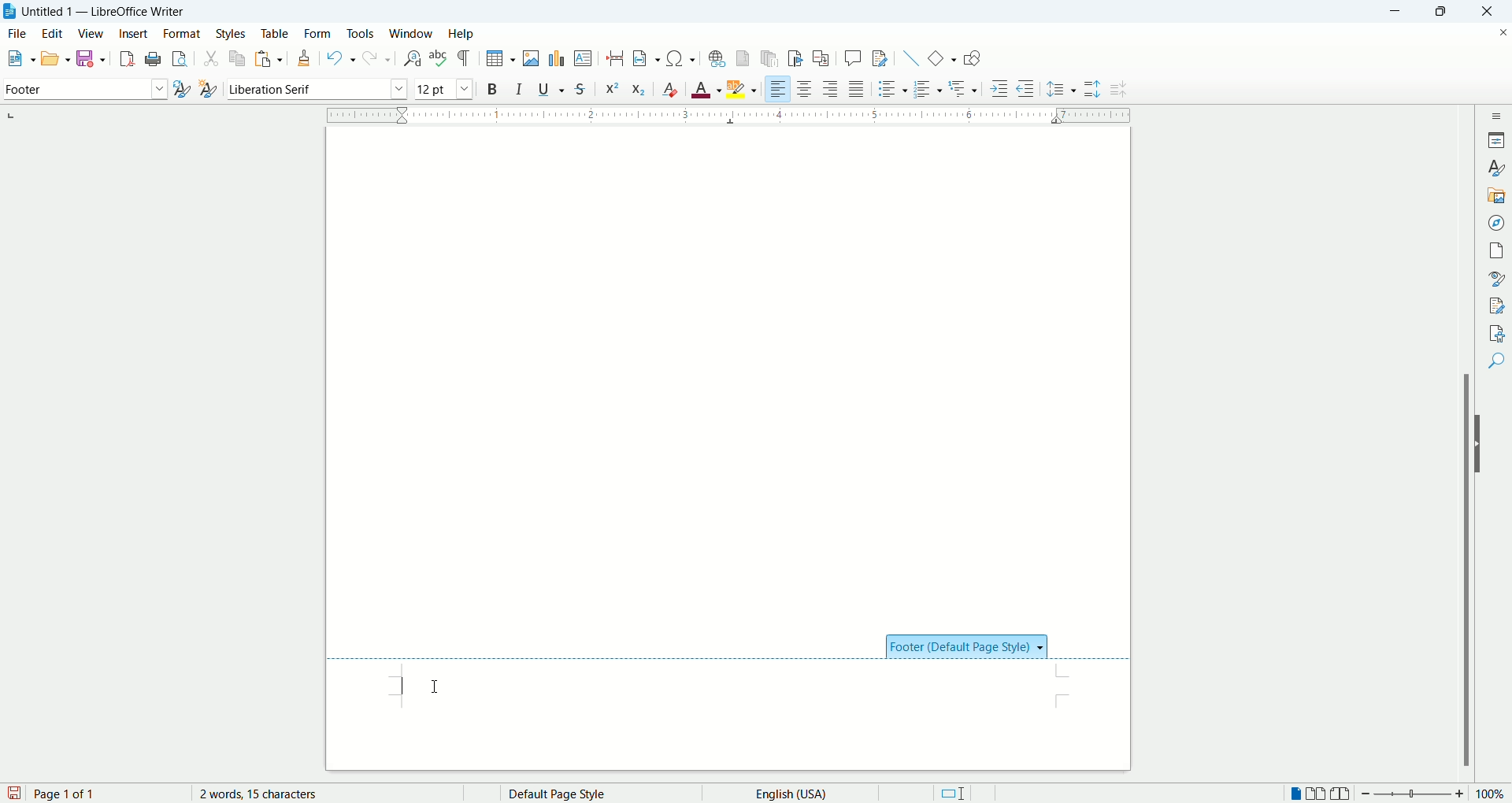  Describe the element at coordinates (890, 89) in the screenshot. I see `unordered list` at that location.